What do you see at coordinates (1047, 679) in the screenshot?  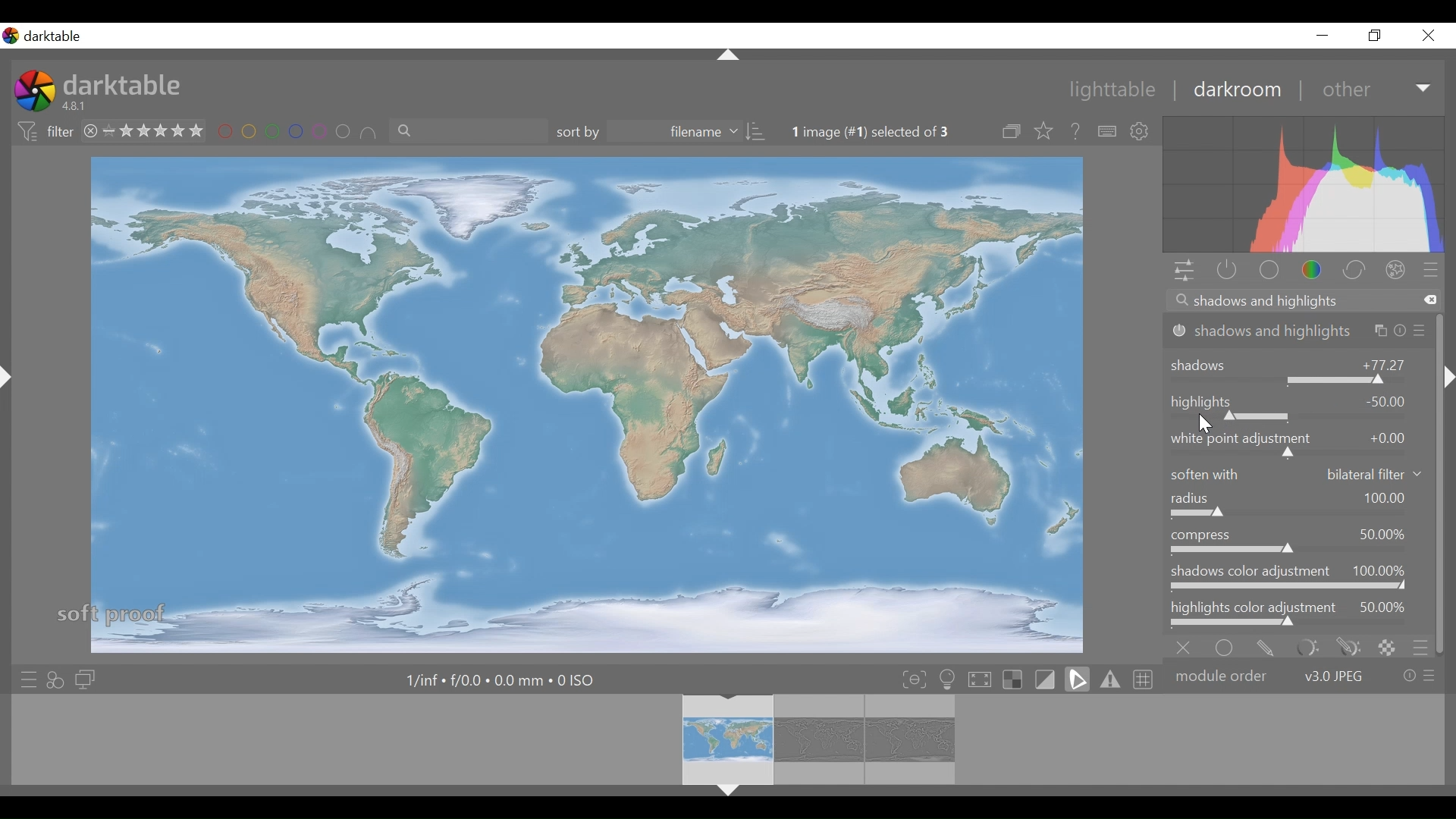 I see `toggle display indication` at bounding box center [1047, 679].